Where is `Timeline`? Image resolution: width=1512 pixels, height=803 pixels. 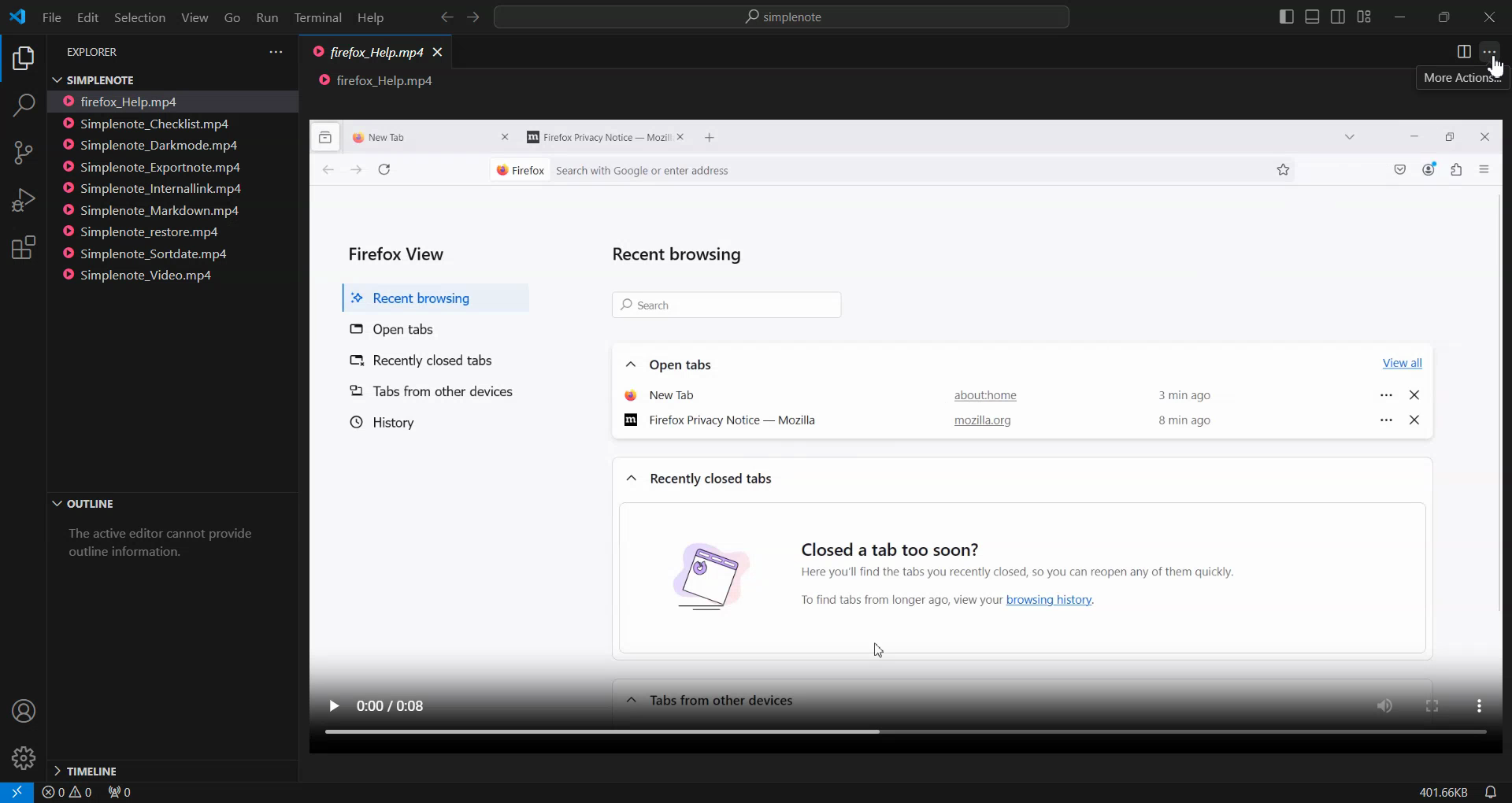 Timeline is located at coordinates (171, 769).